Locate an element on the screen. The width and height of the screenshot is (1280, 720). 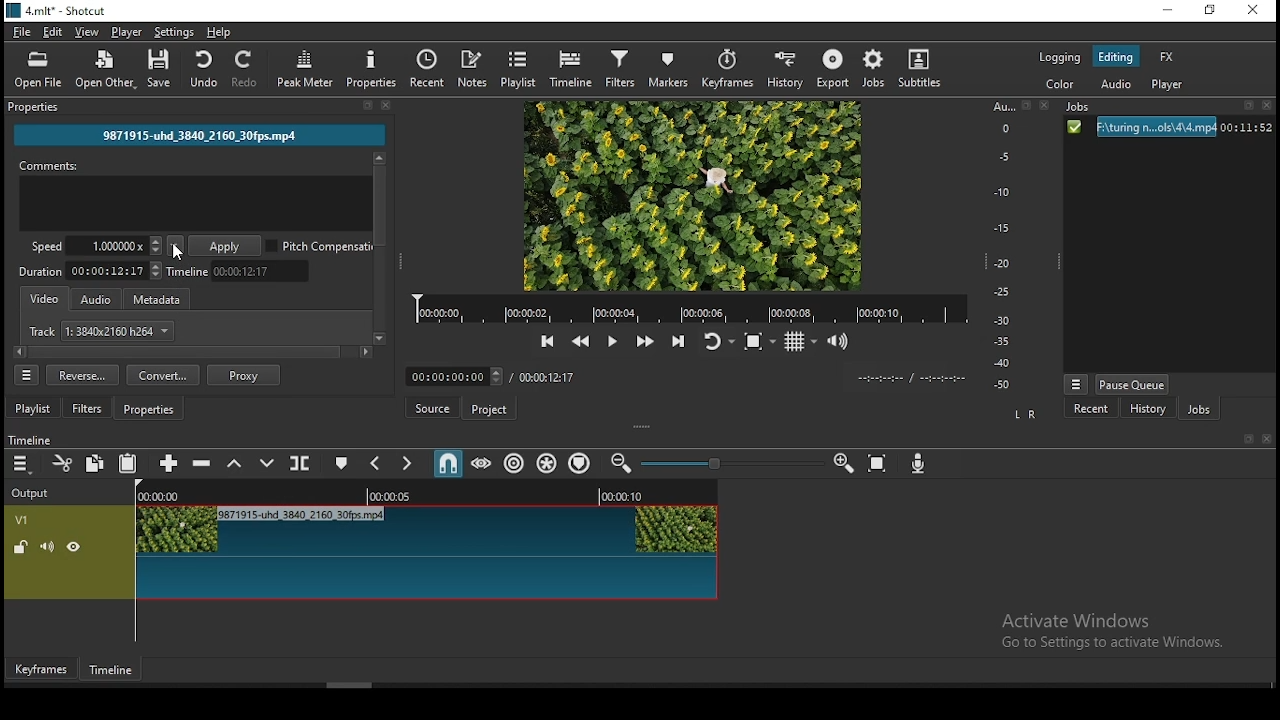
logging is located at coordinates (1060, 58).